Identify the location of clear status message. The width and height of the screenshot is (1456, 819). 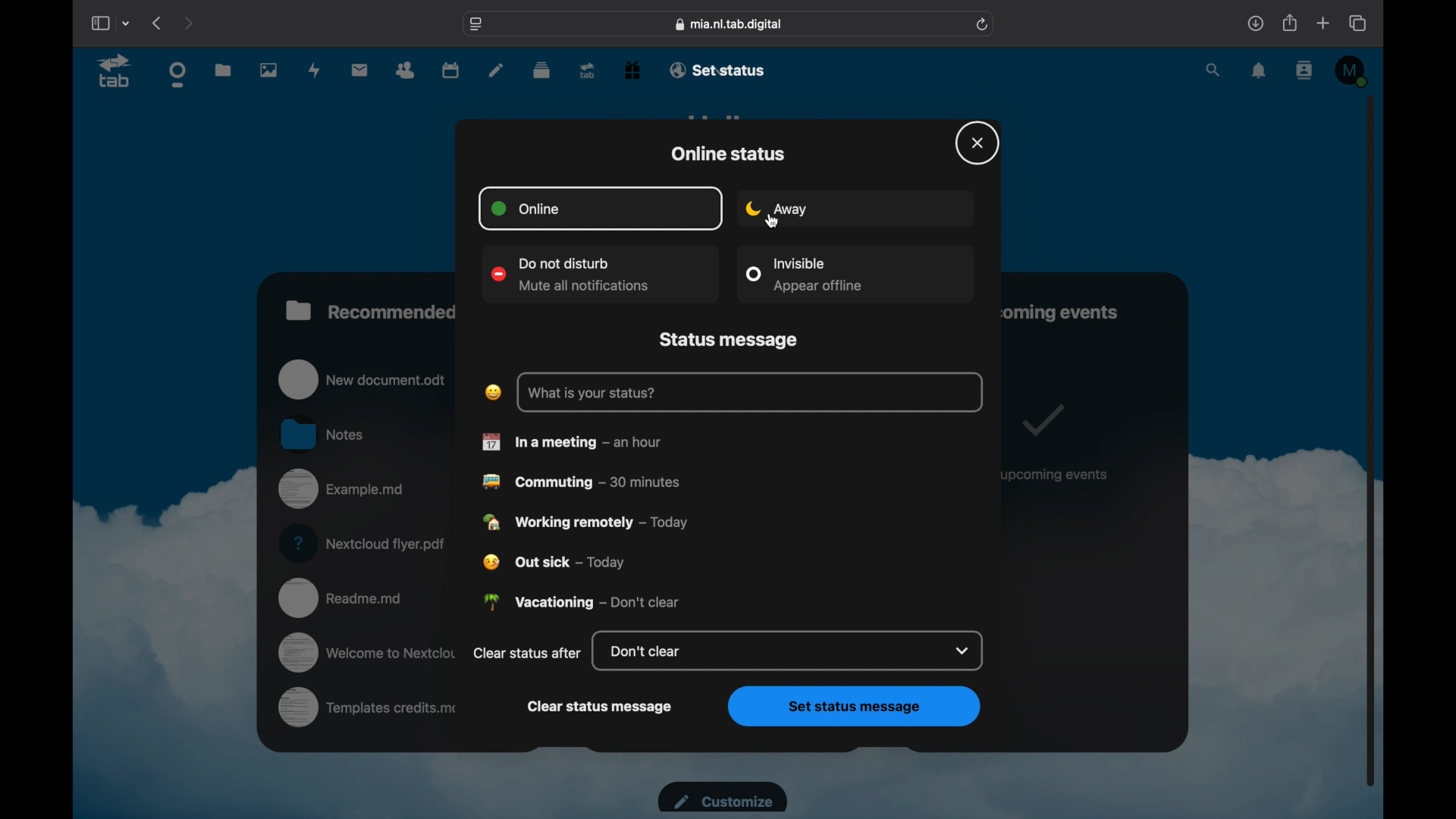
(601, 708).